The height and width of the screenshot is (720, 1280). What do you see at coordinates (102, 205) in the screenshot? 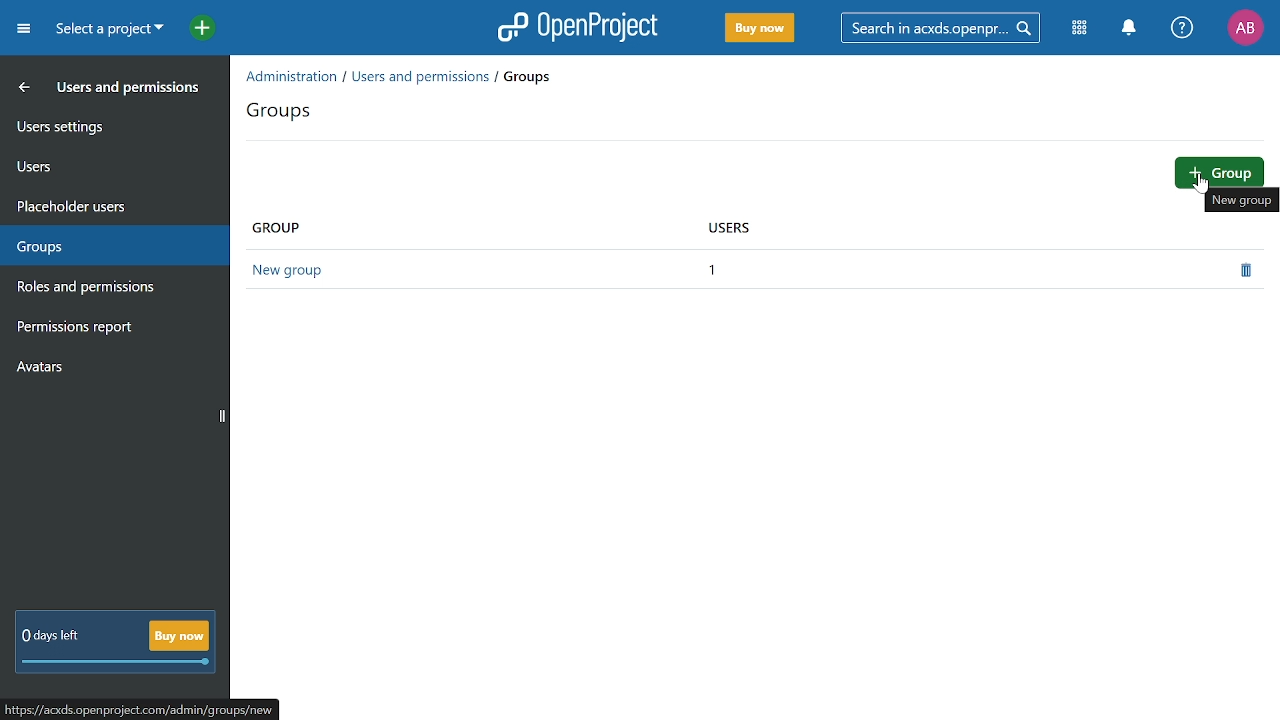
I see `placeholder users` at bounding box center [102, 205].